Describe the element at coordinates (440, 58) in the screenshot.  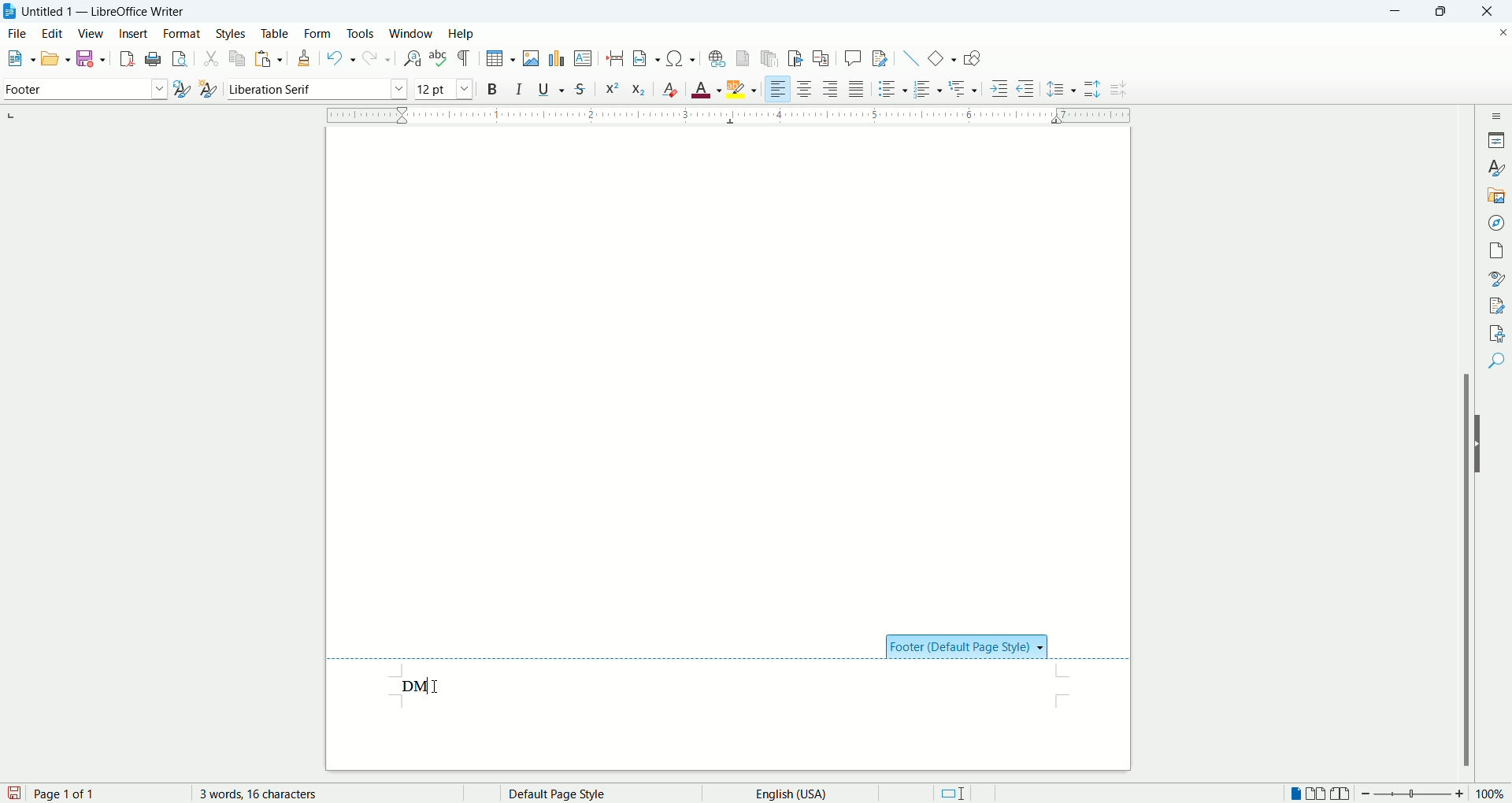
I see `spell check` at that location.